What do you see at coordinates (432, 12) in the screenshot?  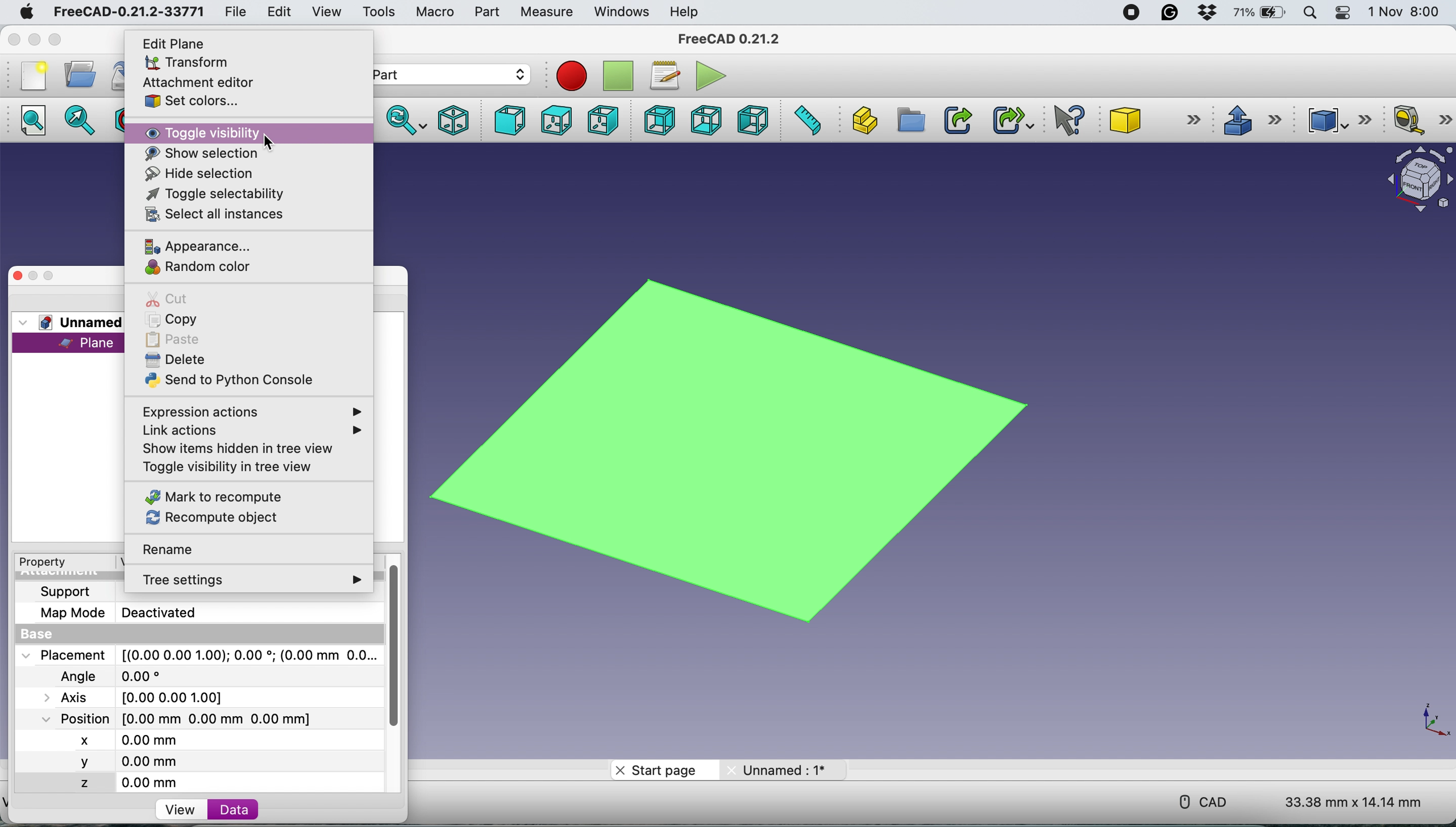 I see `macro` at bounding box center [432, 12].